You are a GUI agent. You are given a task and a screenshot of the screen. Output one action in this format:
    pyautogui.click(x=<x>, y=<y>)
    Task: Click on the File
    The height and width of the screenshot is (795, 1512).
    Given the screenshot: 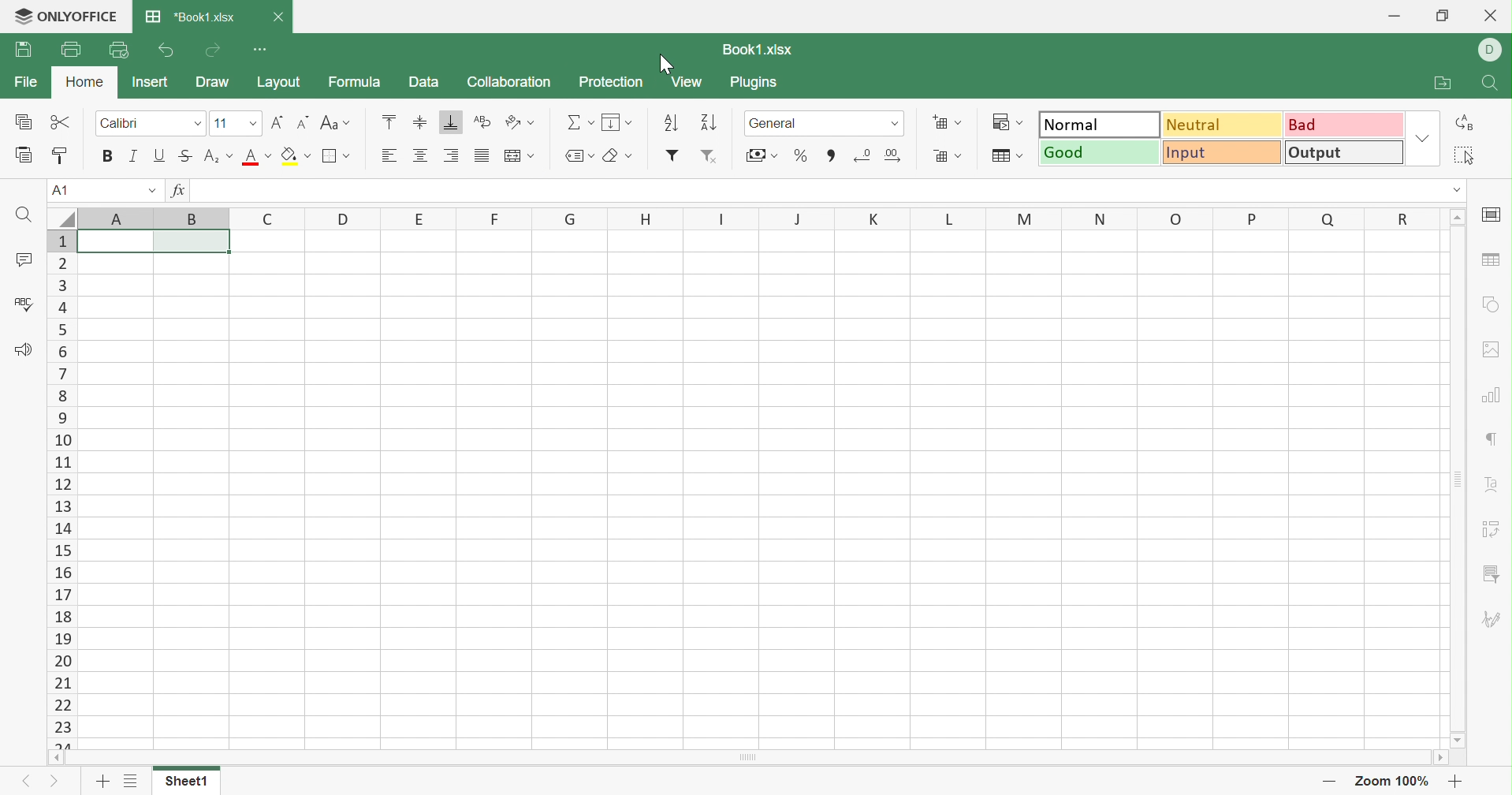 What is the action you would take?
    pyautogui.click(x=24, y=84)
    